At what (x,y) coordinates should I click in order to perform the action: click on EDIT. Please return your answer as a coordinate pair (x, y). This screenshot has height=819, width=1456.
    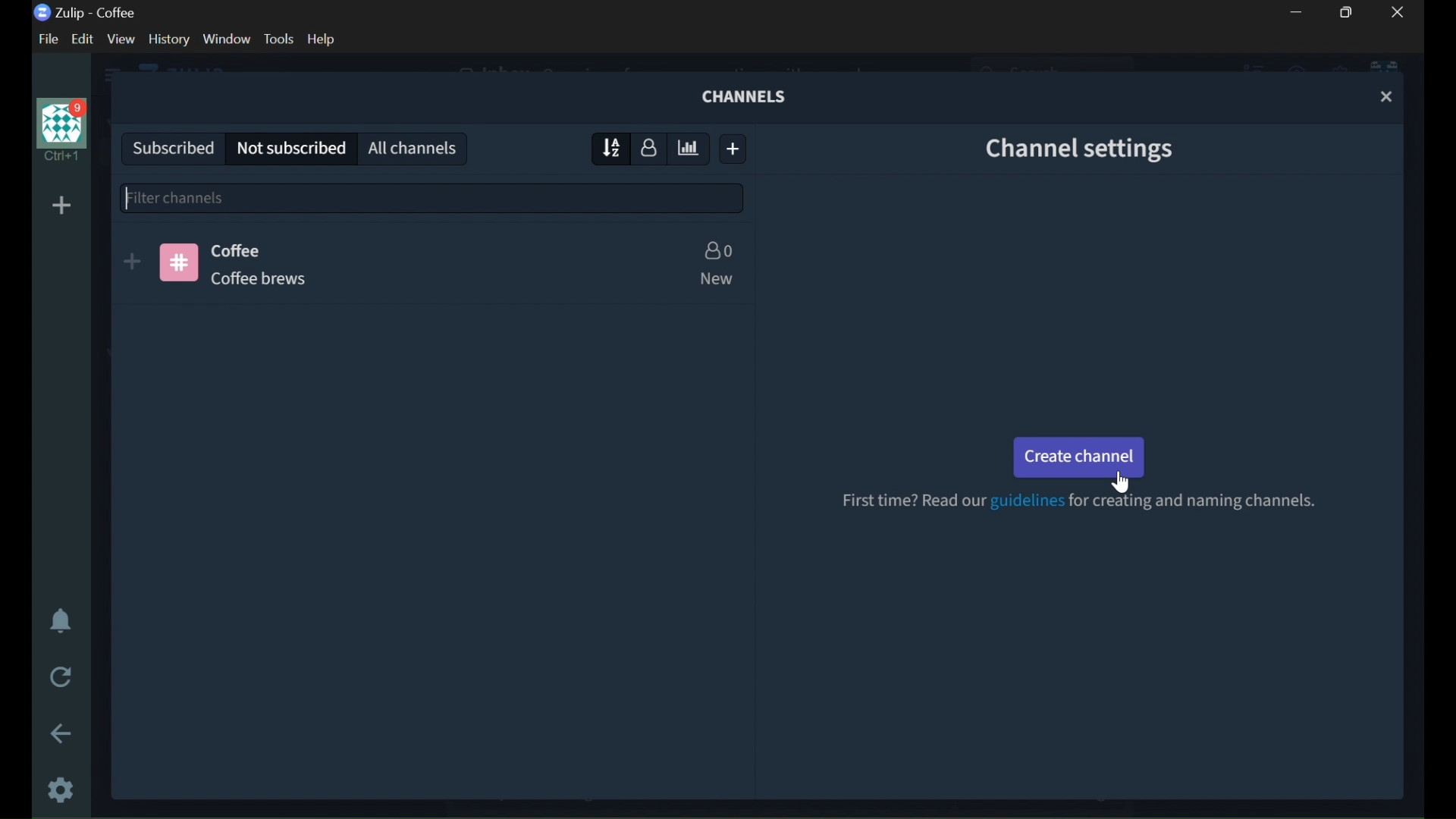
    Looking at the image, I should click on (86, 39).